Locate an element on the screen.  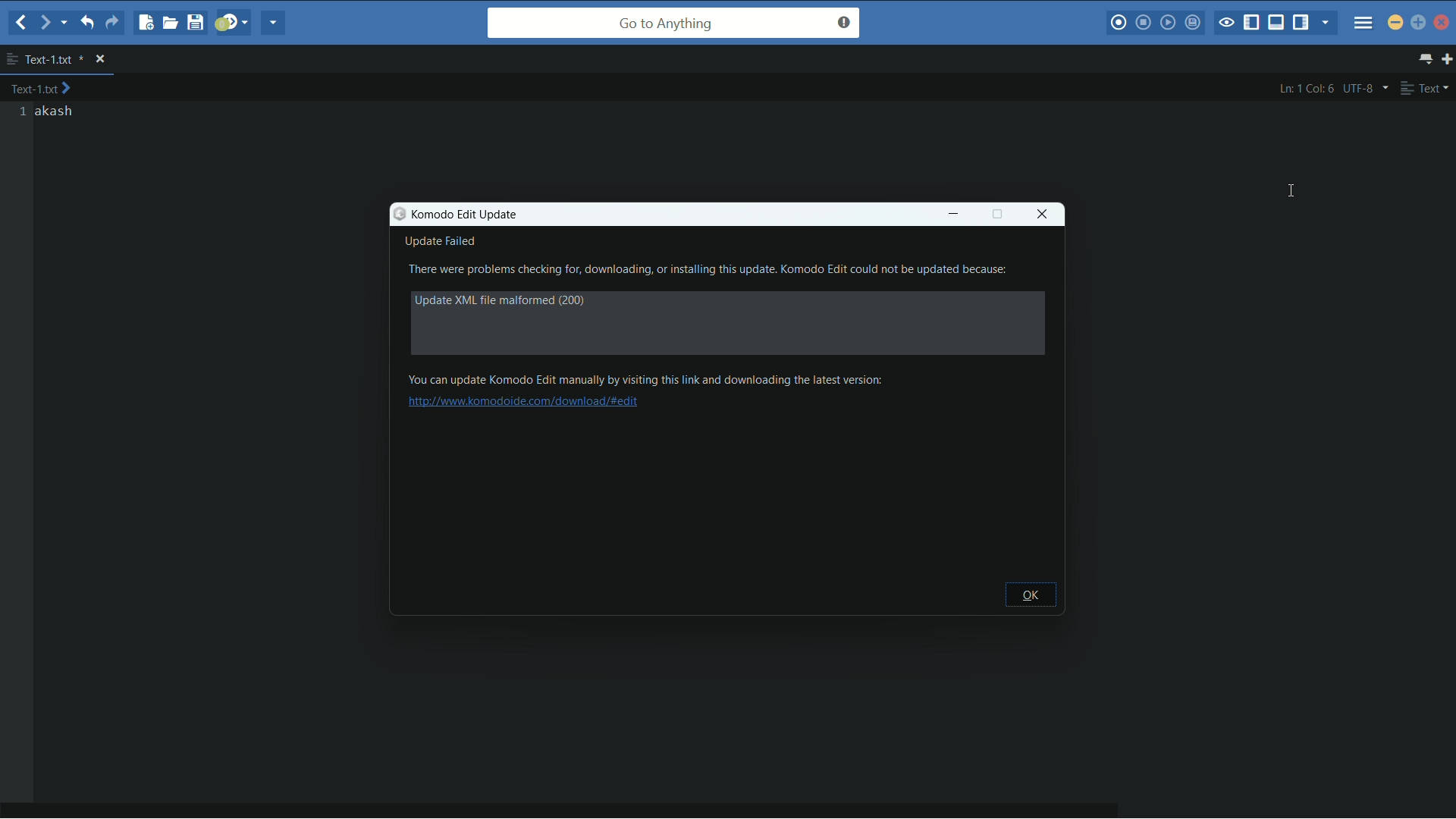
record macro is located at coordinates (1120, 22).